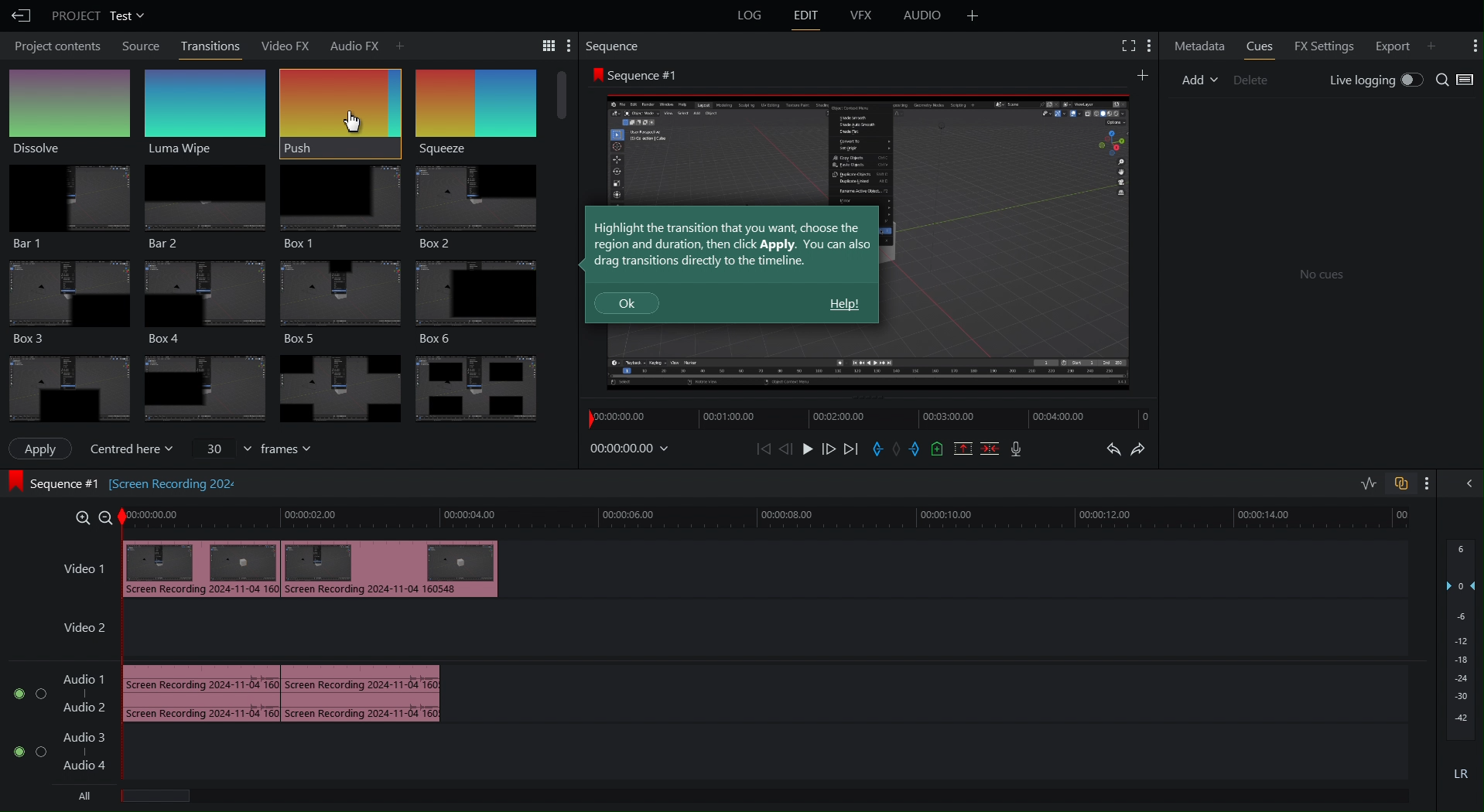 The width and height of the screenshot is (1484, 812). I want to click on Timeline, so click(774, 517).